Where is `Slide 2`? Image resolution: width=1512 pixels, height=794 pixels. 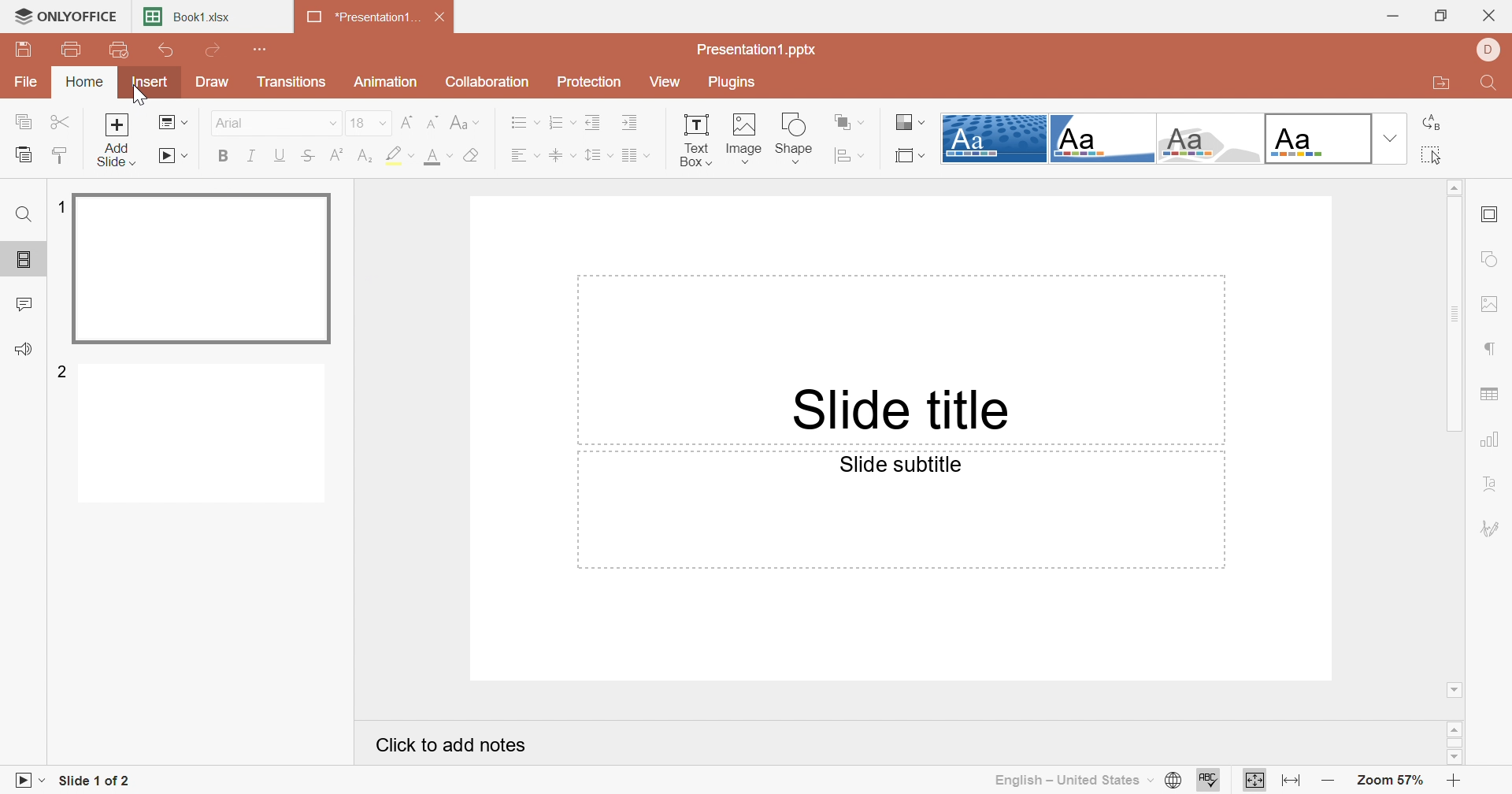
Slide 2 is located at coordinates (206, 436).